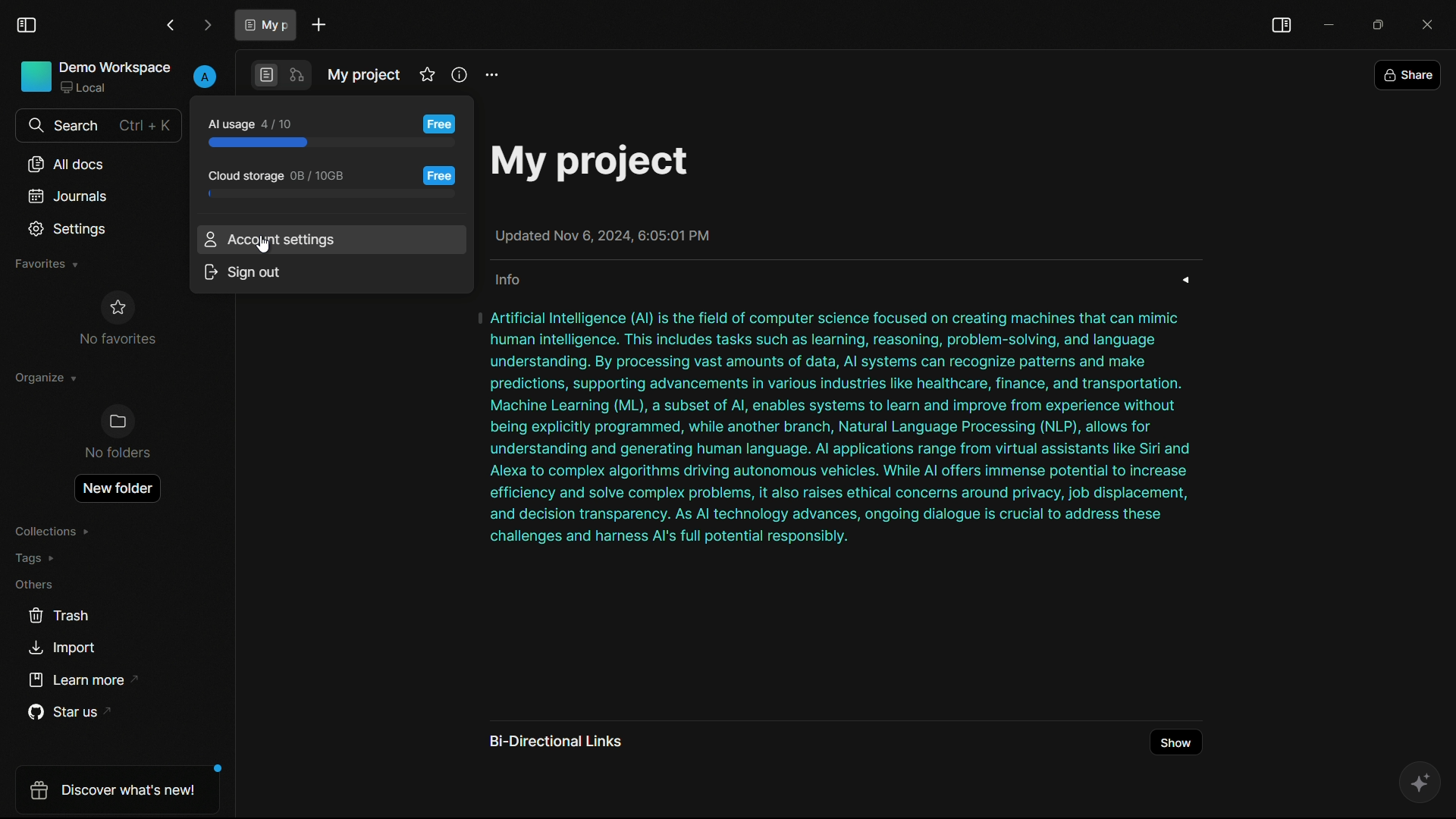  Describe the element at coordinates (120, 435) in the screenshot. I see `no folders` at that location.